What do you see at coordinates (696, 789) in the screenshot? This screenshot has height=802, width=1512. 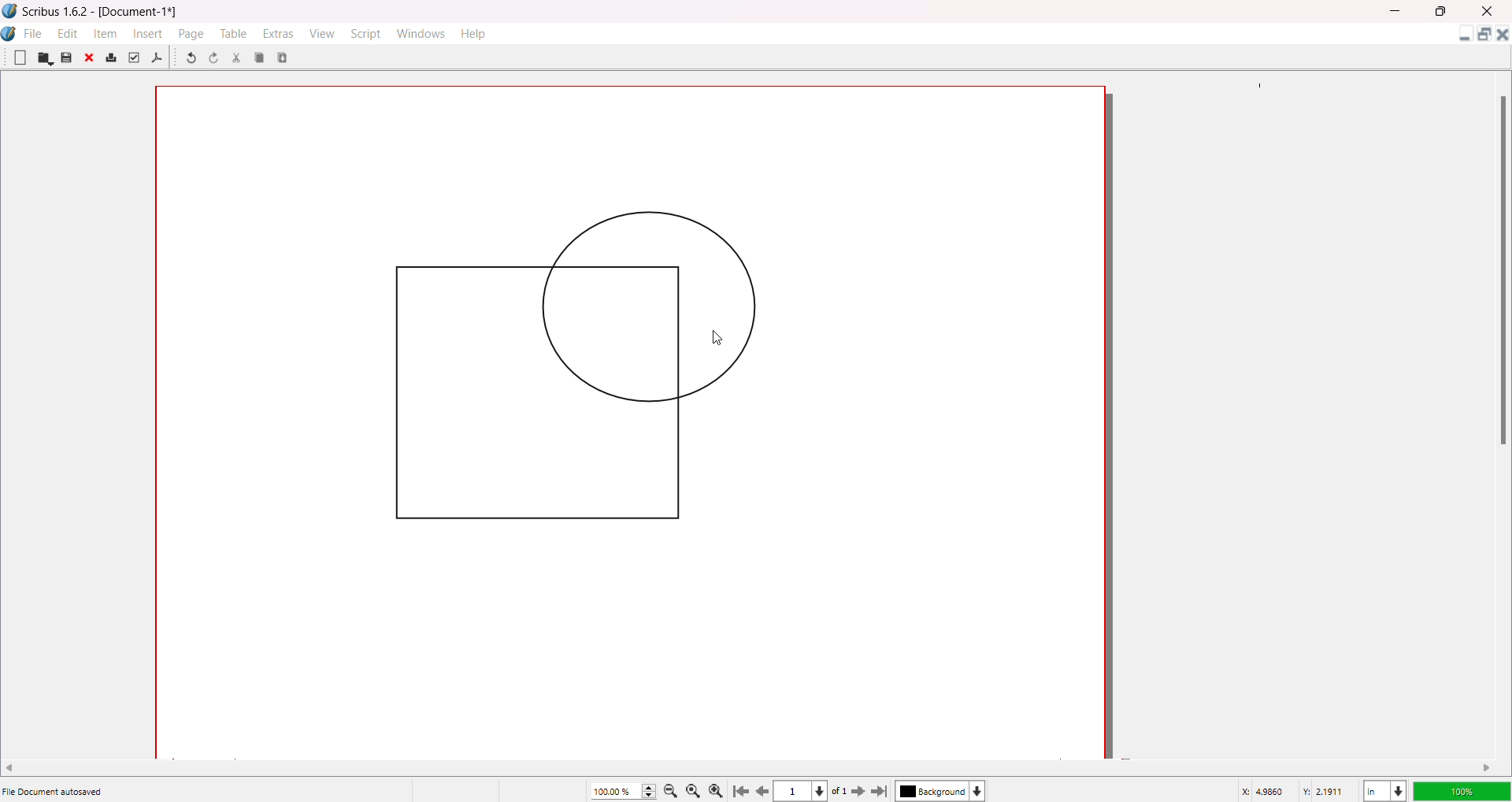 I see `Zoom to 100` at bounding box center [696, 789].